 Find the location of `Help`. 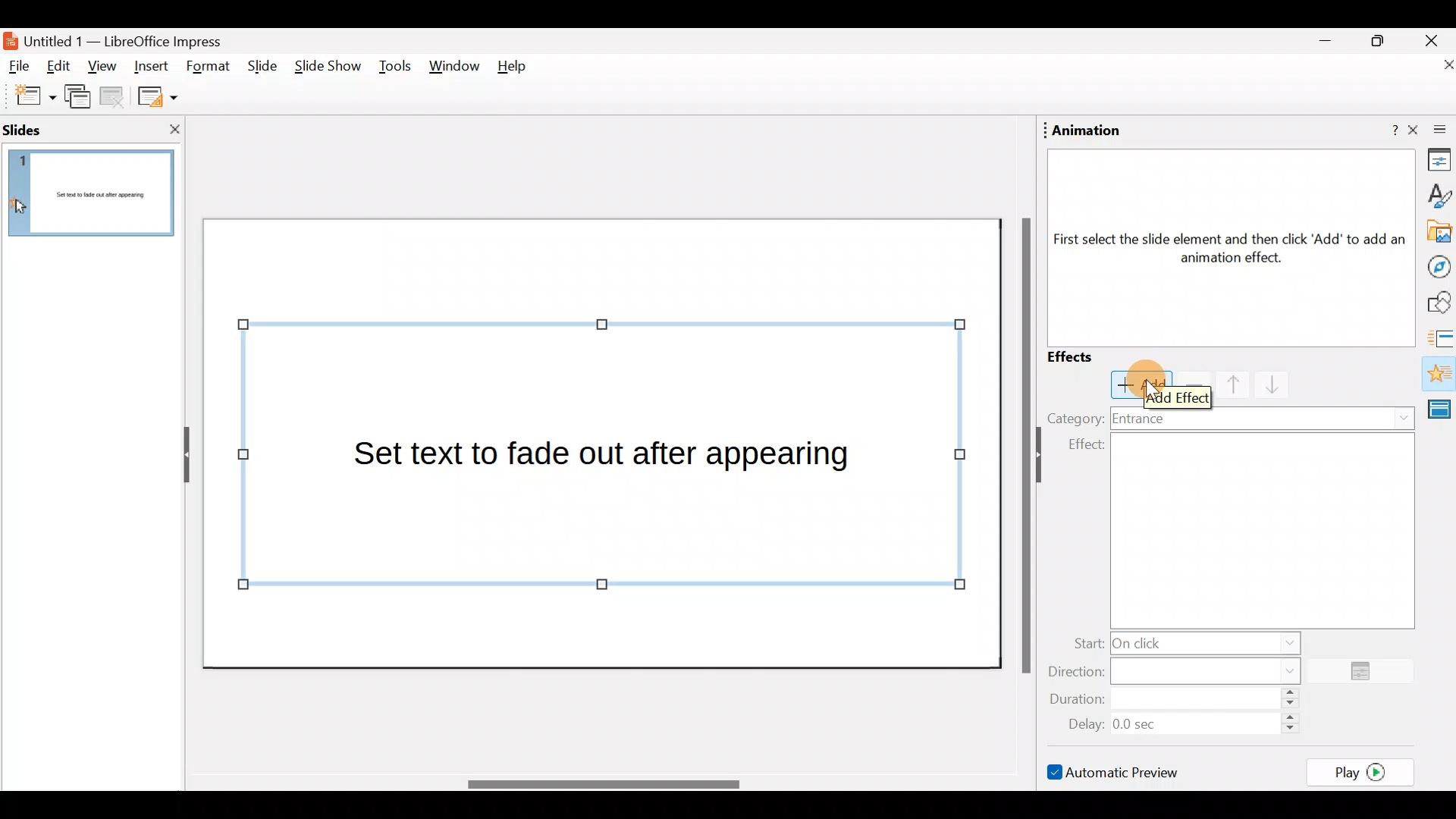

Help is located at coordinates (1384, 131).